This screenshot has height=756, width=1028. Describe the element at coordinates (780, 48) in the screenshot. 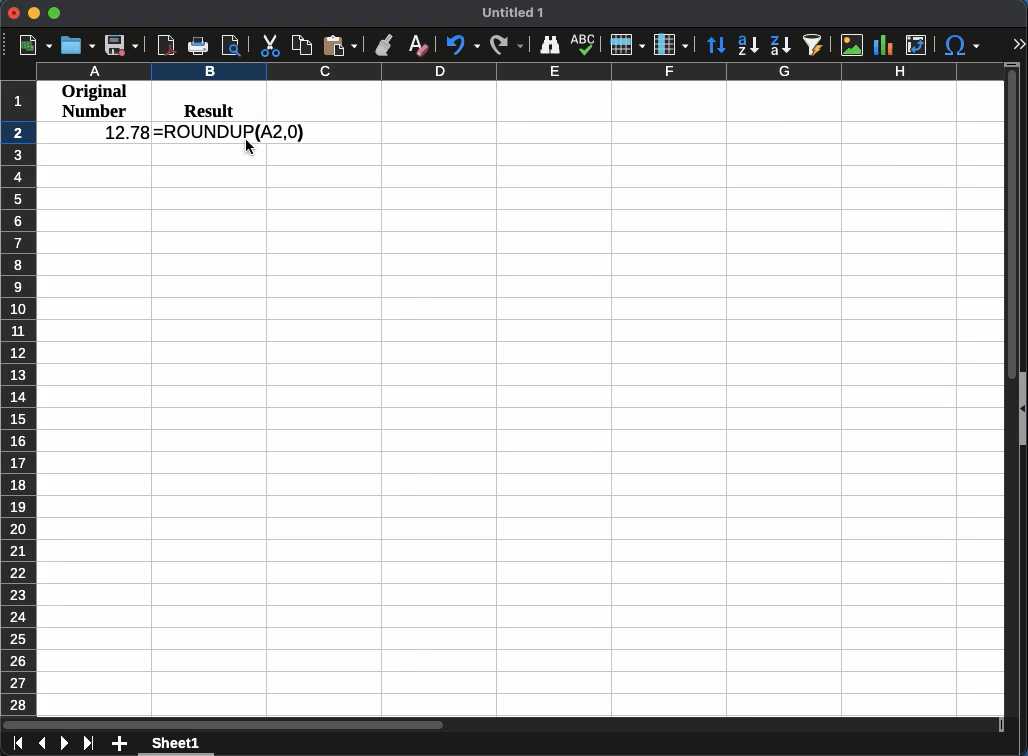

I see `decending ` at that location.